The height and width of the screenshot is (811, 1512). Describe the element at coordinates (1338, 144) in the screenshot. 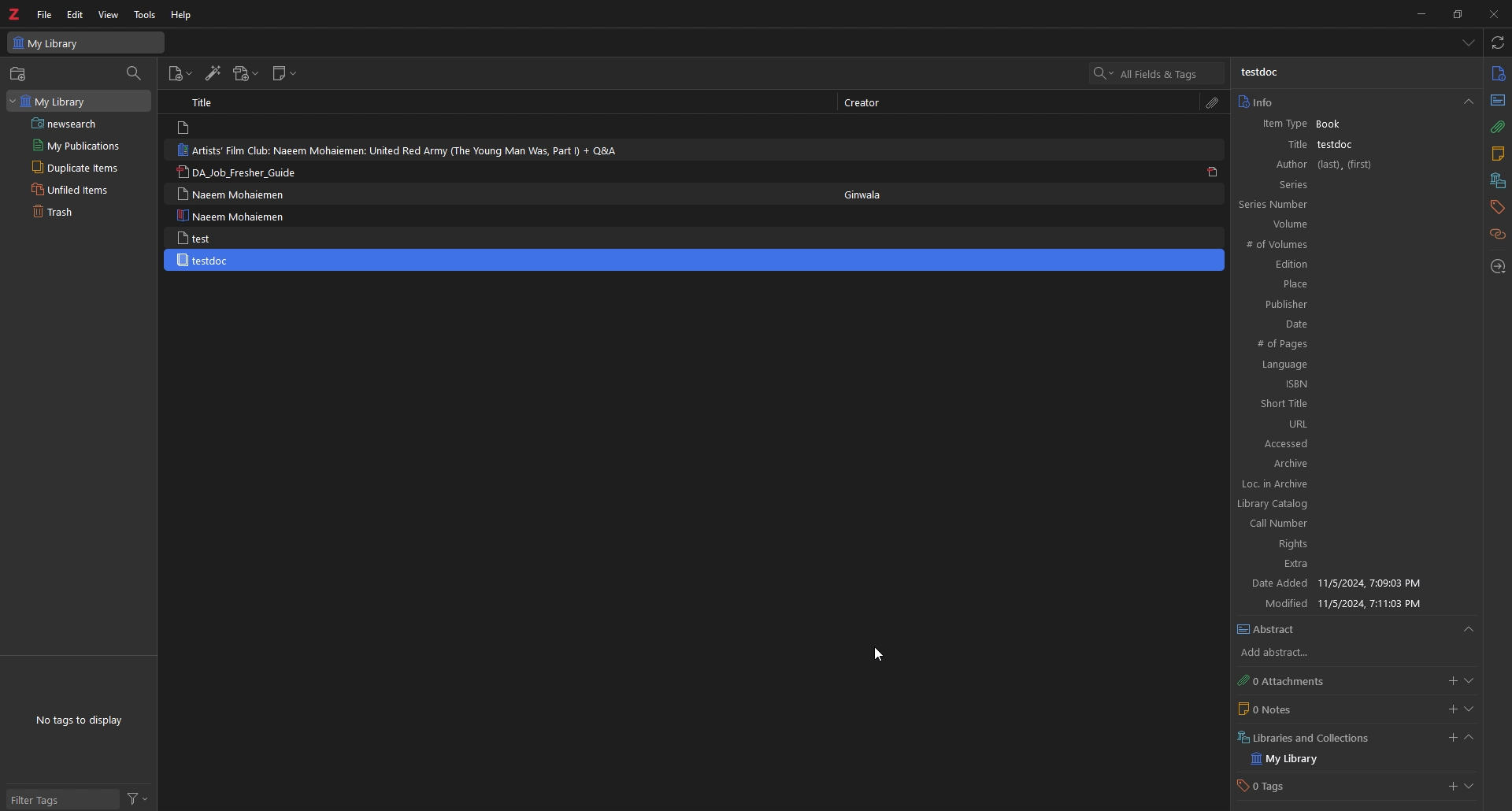

I see `testdoc` at that location.